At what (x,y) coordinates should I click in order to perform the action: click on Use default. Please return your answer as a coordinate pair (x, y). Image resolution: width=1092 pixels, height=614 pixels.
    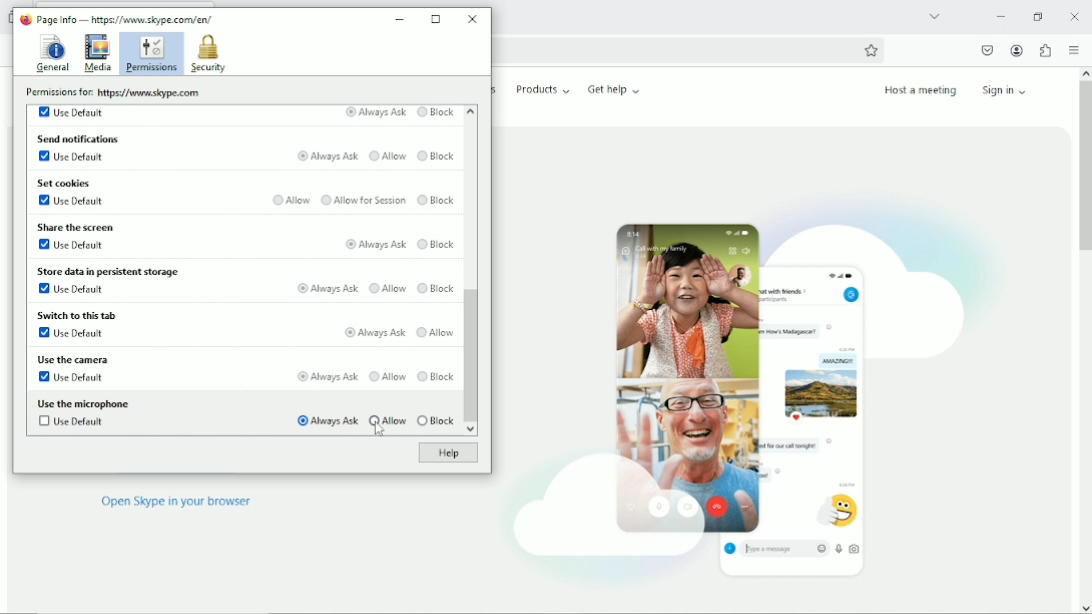
    Looking at the image, I should click on (70, 290).